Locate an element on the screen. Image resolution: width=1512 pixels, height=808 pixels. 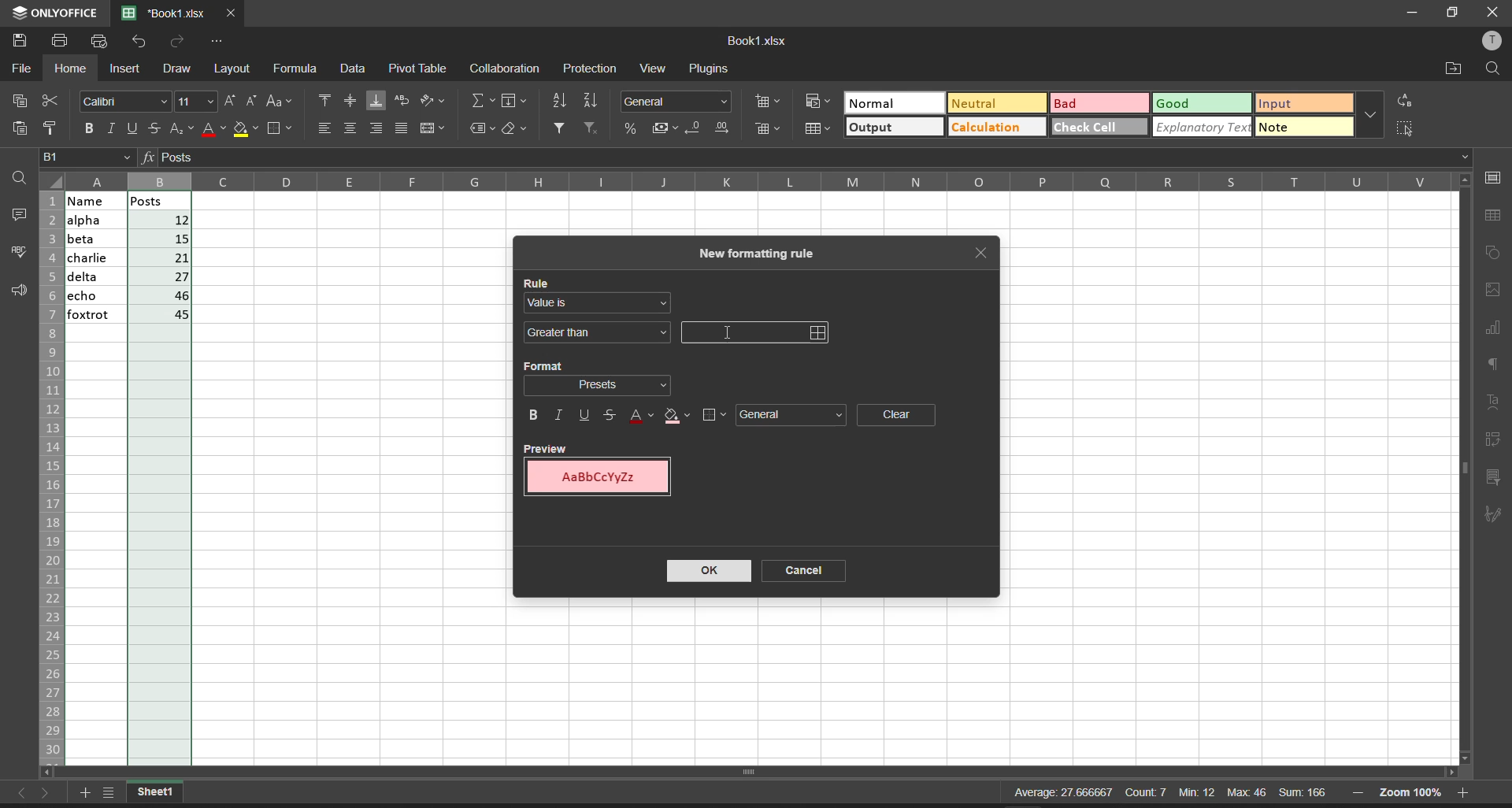
font color is located at coordinates (211, 131).